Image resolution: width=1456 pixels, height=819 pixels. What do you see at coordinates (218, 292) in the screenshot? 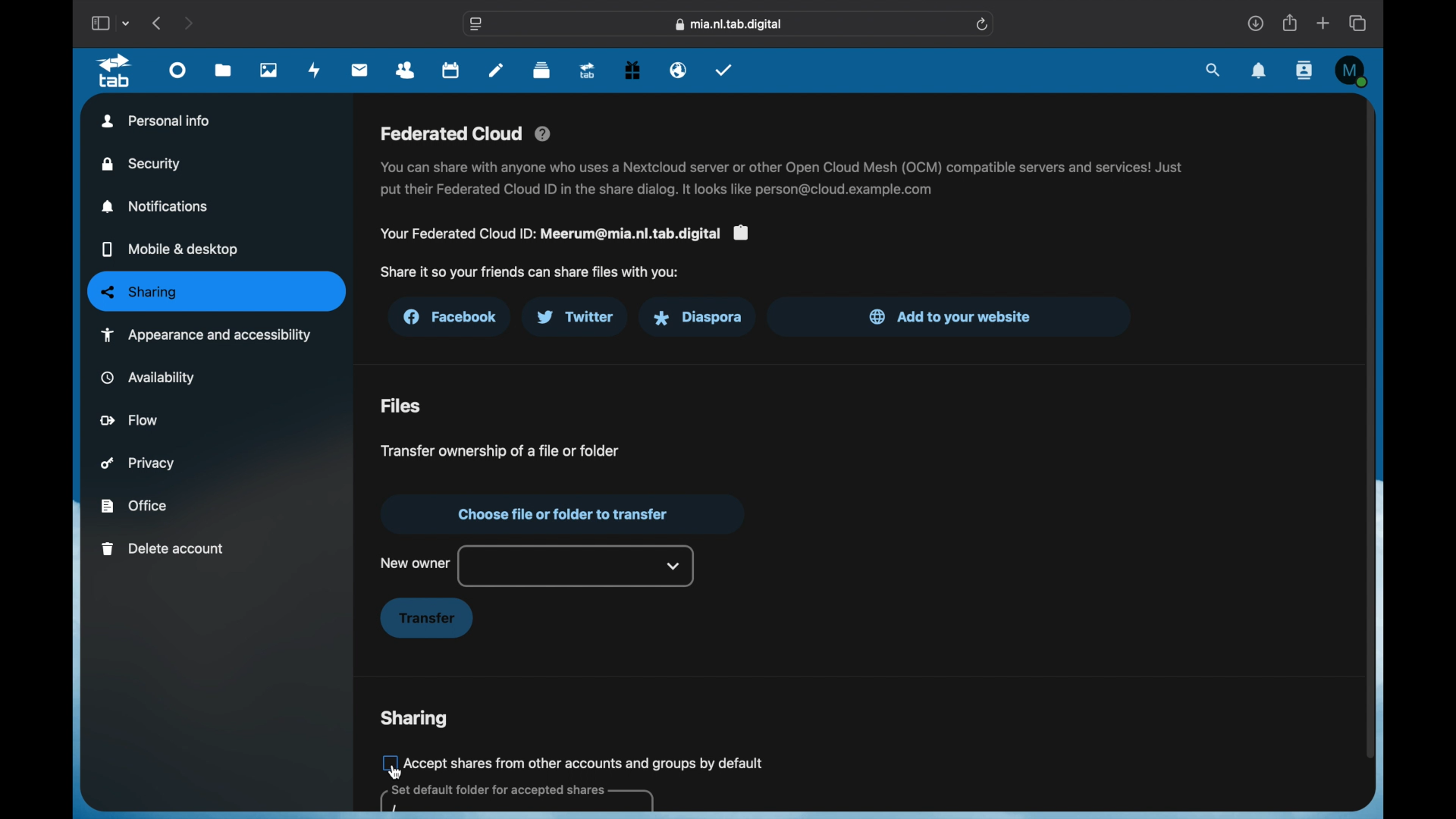
I see `sharing ` at bounding box center [218, 292].